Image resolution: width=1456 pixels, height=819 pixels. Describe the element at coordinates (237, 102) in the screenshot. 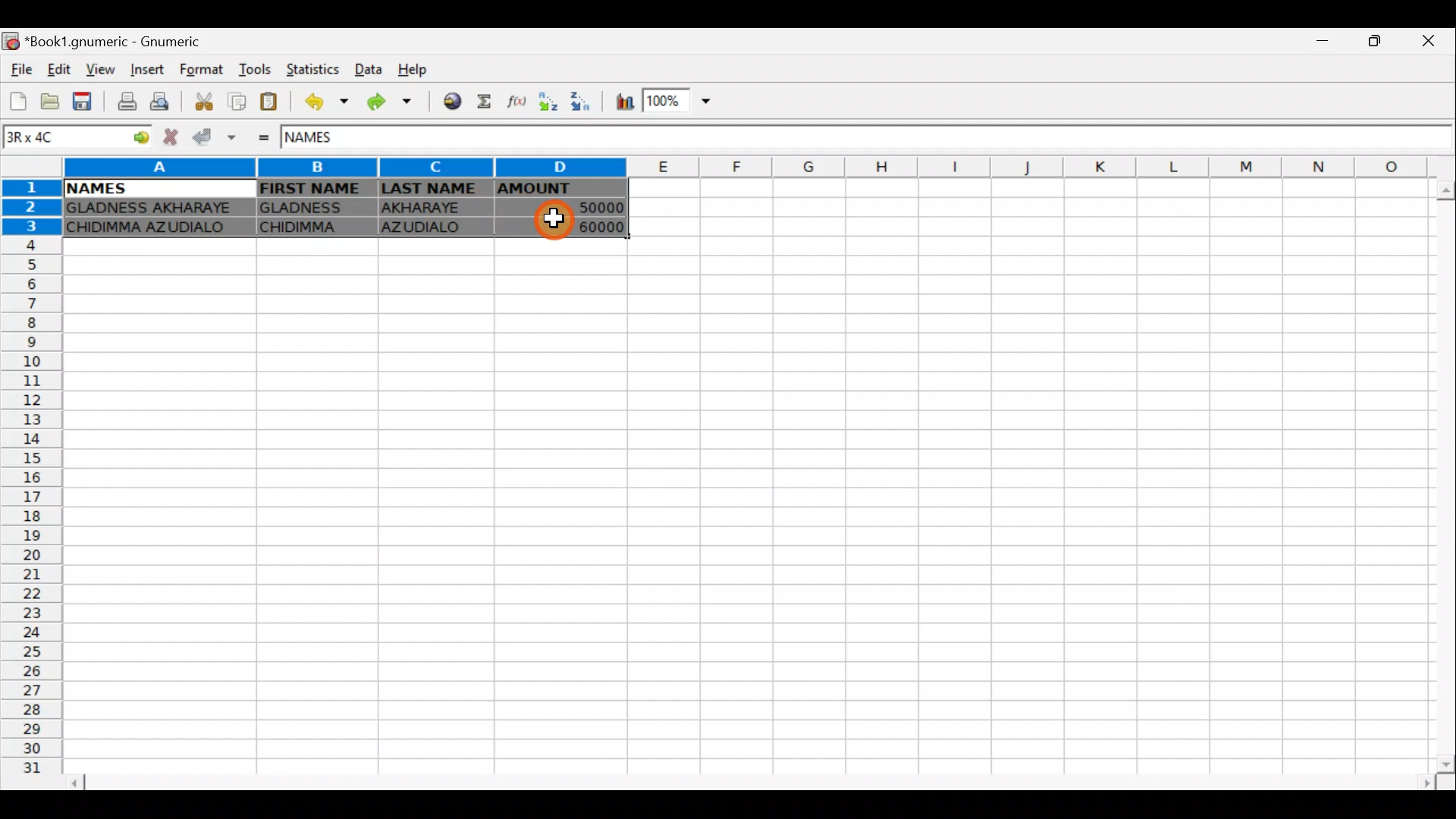

I see `Copy selection` at that location.